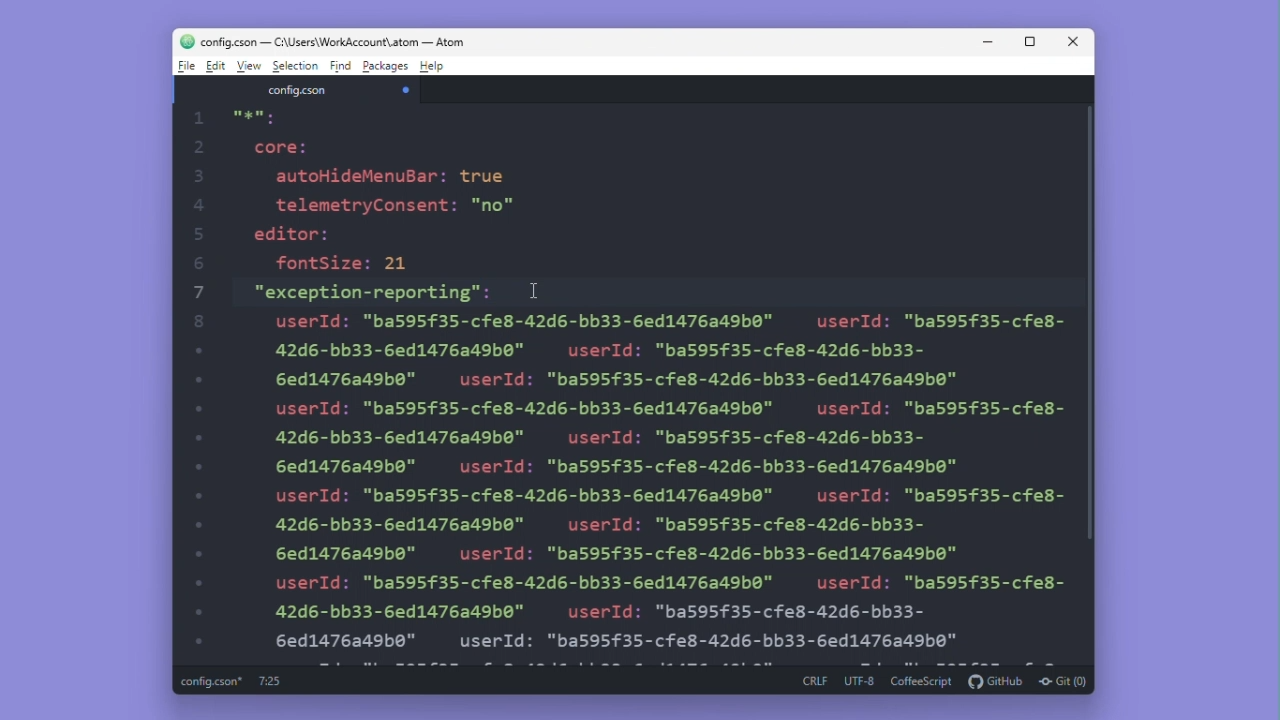 The image size is (1280, 720). Describe the element at coordinates (990, 41) in the screenshot. I see `Minimise` at that location.